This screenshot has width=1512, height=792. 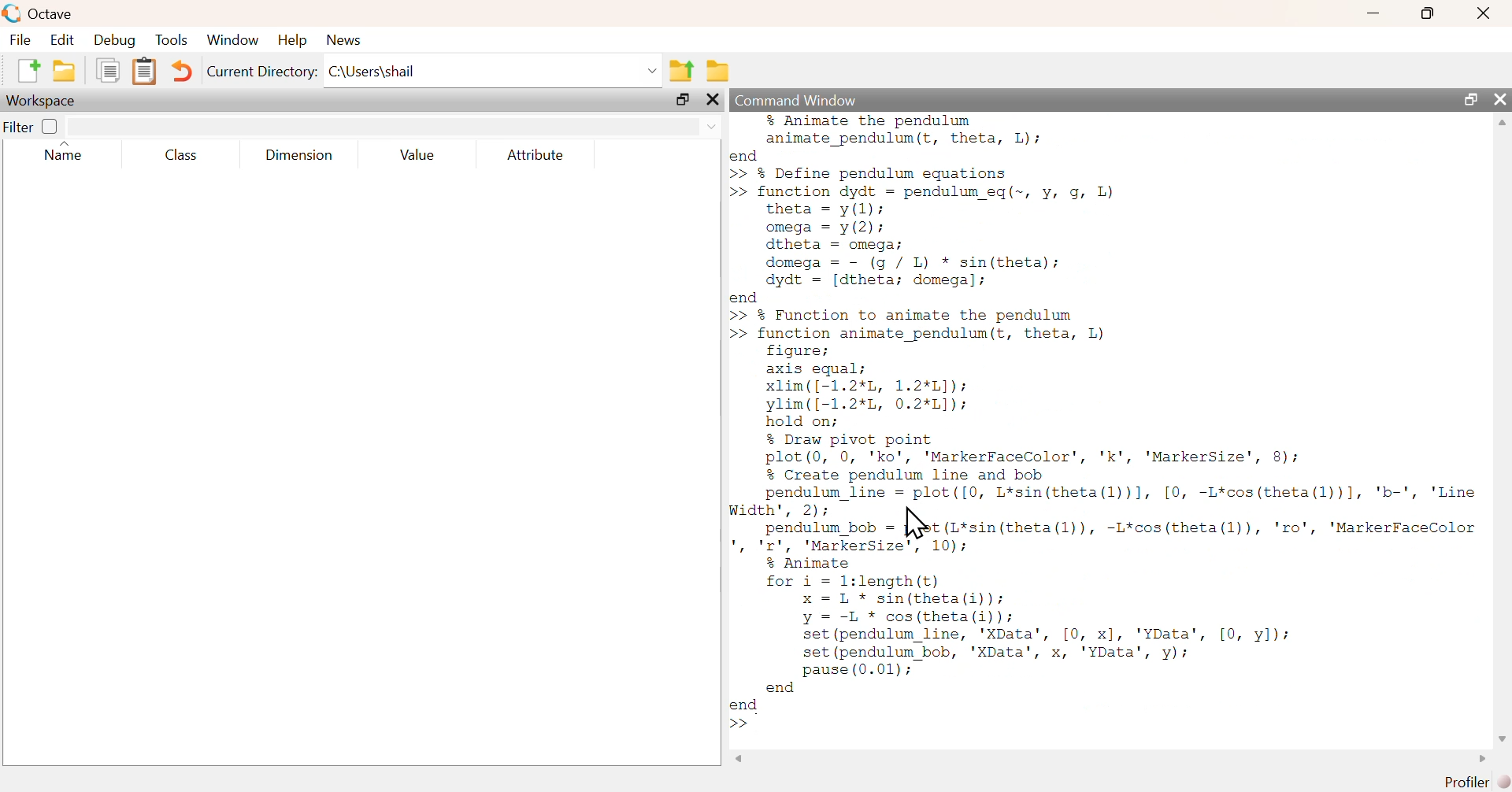 What do you see at coordinates (33, 126) in the screenshot?
I see `Filter` at bounding box center [33, 126].